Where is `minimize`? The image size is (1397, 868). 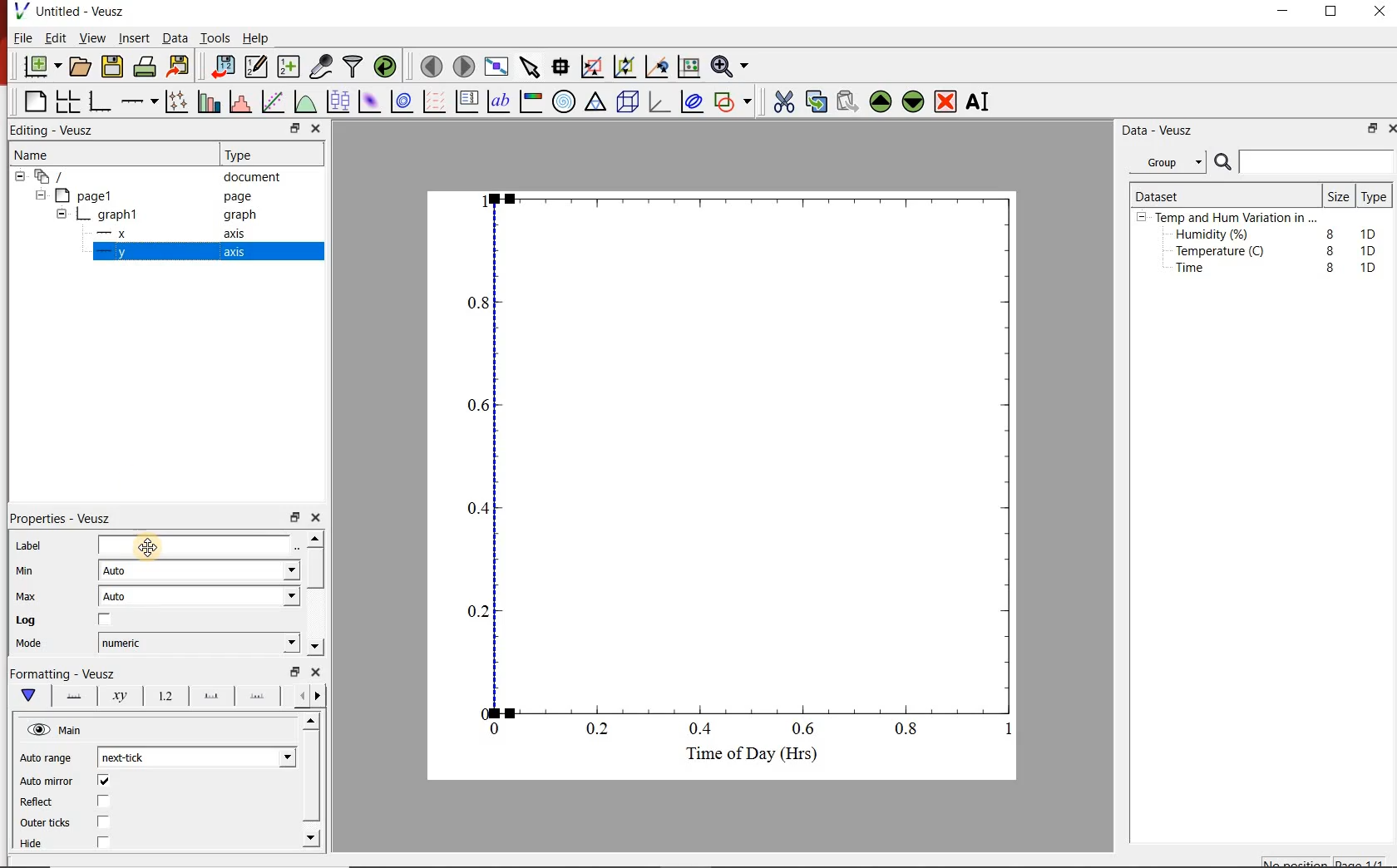
minimize is located at coordinates (1289, 12).